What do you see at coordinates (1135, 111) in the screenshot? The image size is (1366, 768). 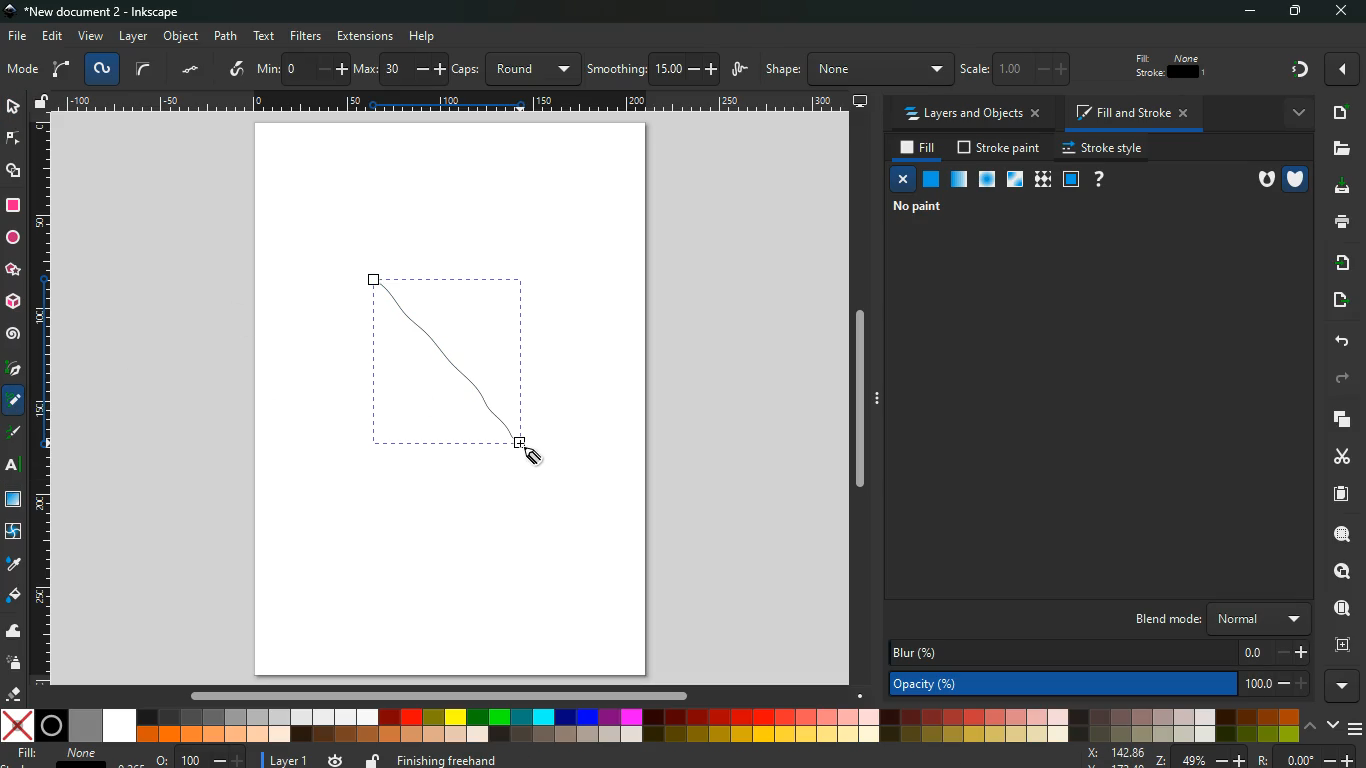 I see `fill and stroke` at bounding box center [1135, 111].